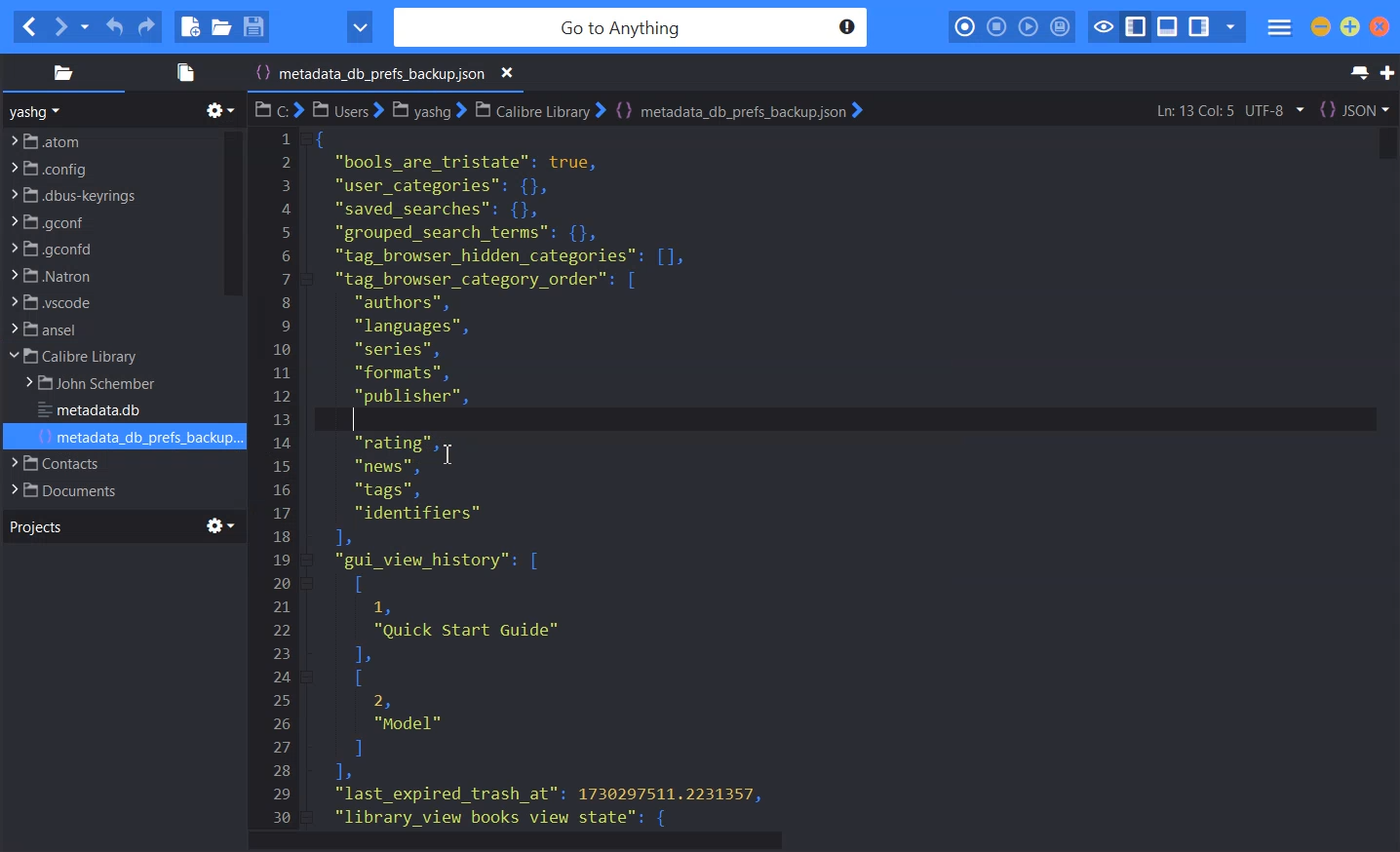 This screenshot has height=852, width=1400. Describe the element at coordinates (738, 110) in the screenshot. I see `metadata_db_pref_bakup File` at that location.